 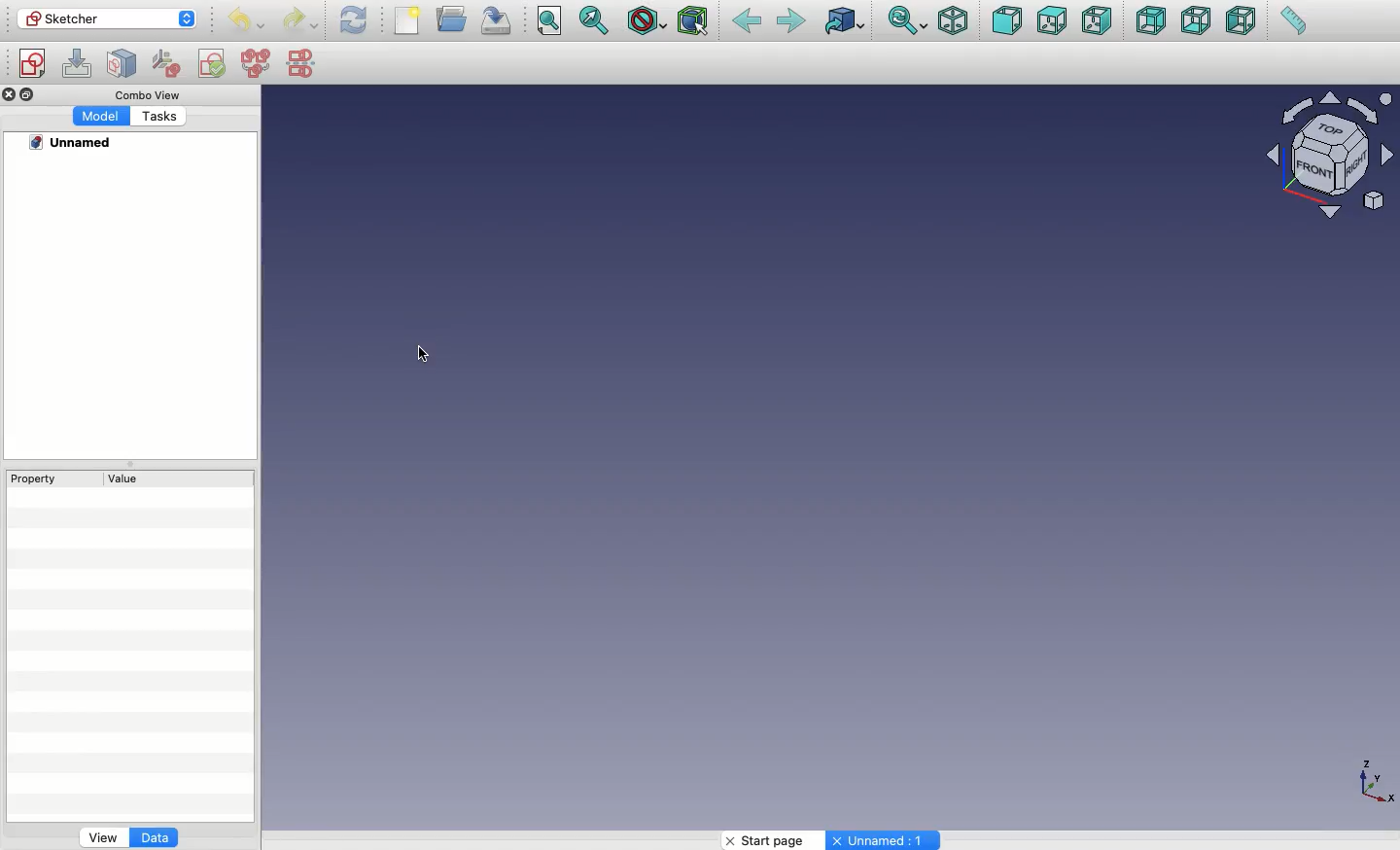 I want to click on New, so click(x=407, y=19).